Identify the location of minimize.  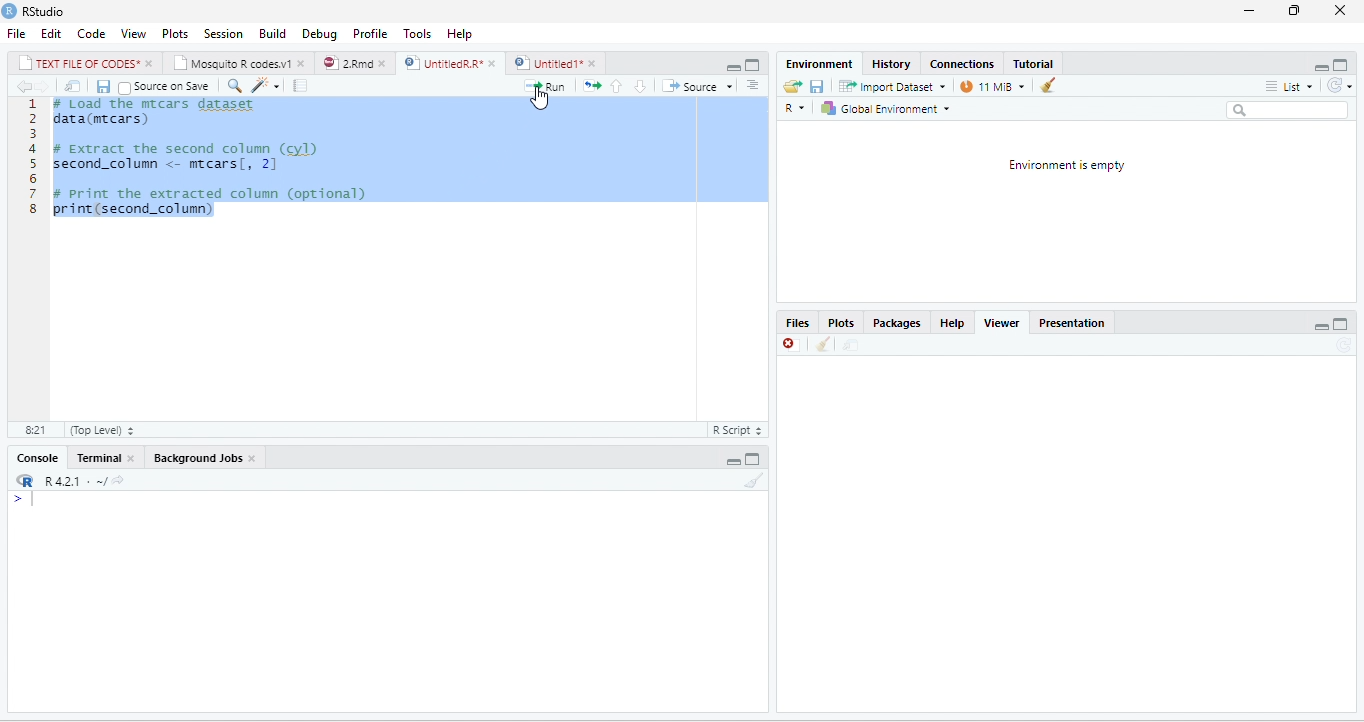
(754, 64).